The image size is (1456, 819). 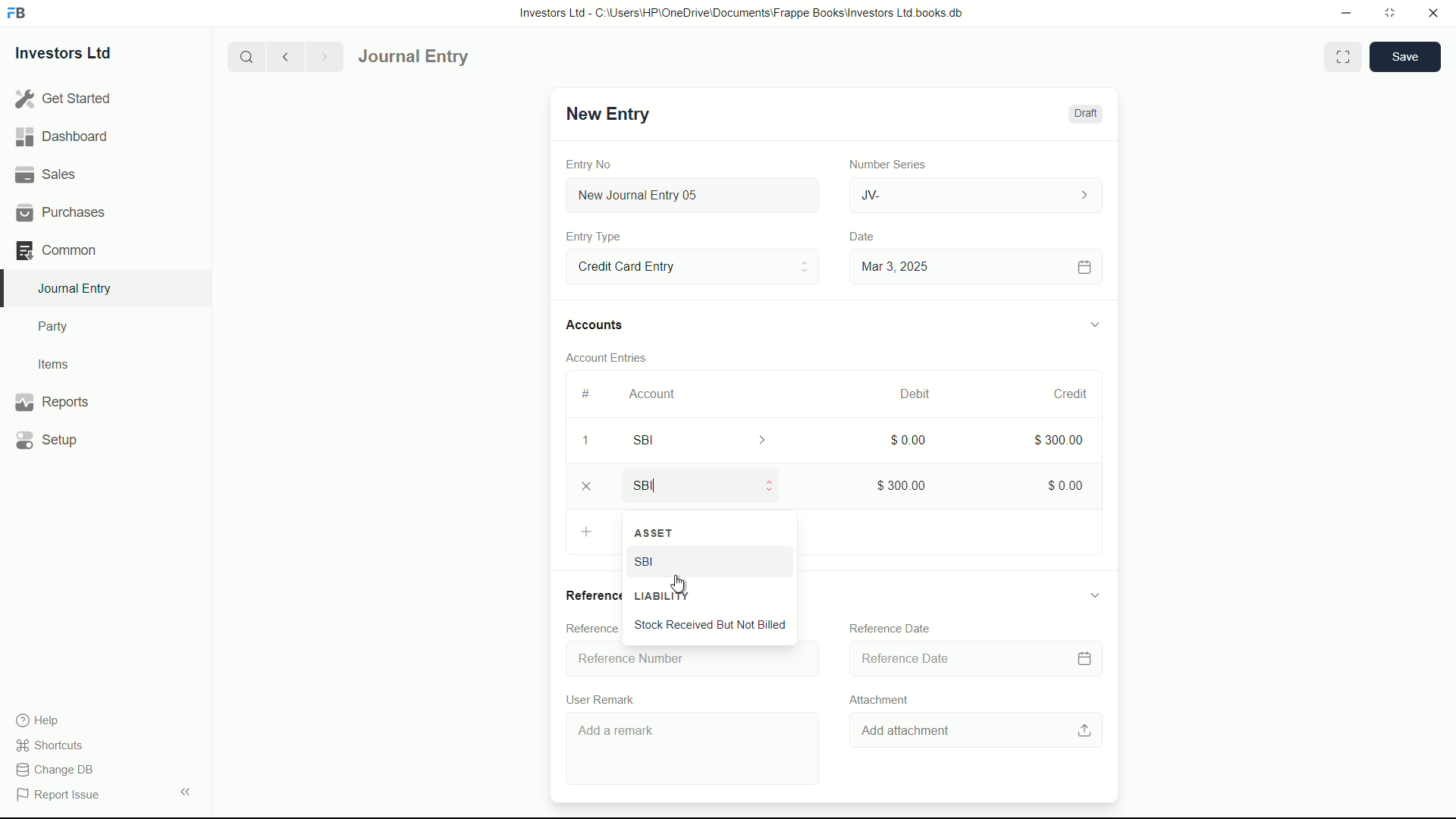 What do you see at coordinates (590, 596) in the screenshot?
I see `References` at bounding box center [590, 596].